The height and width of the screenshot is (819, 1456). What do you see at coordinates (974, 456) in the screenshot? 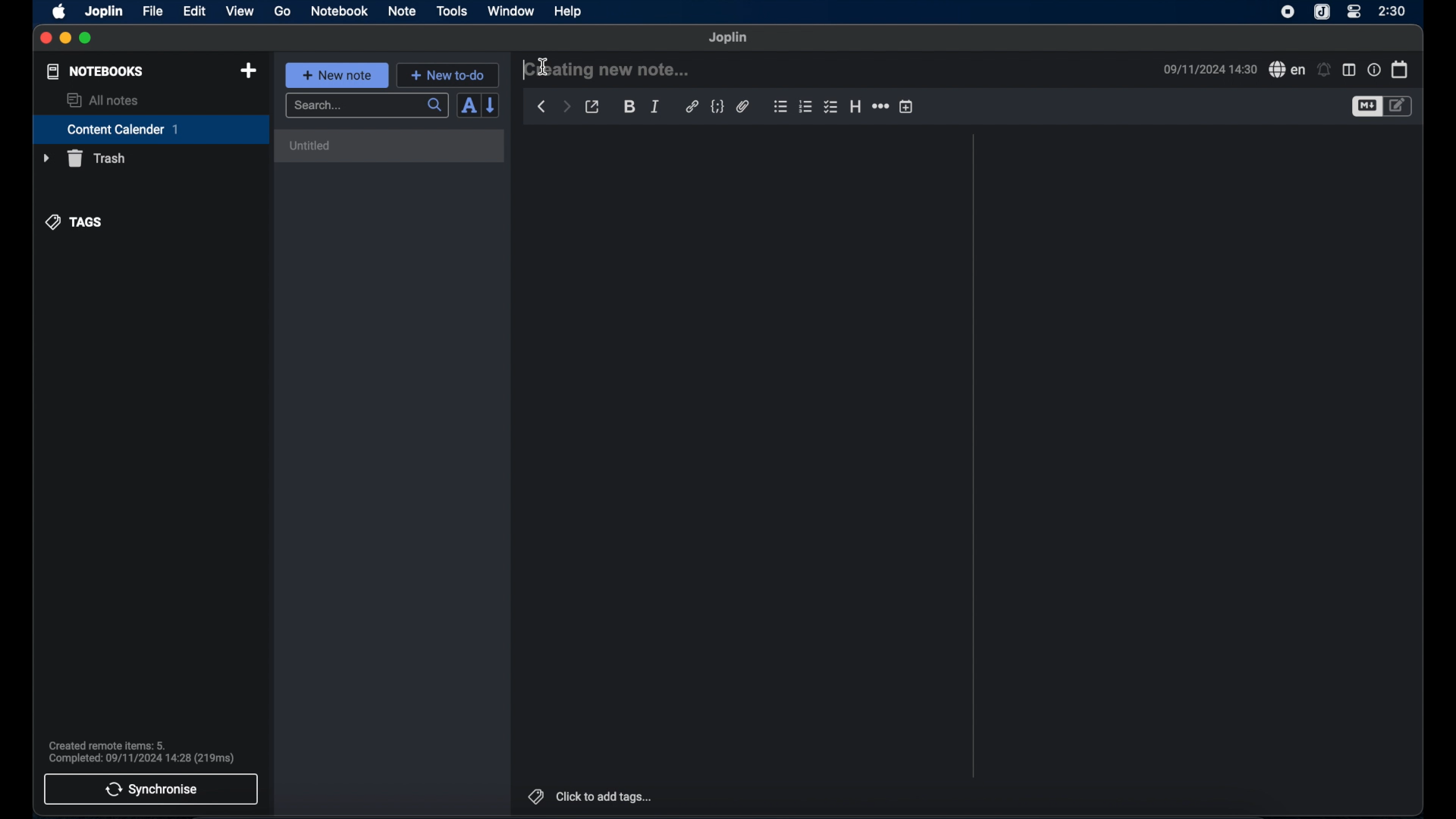
I see `divider` at bounding box center [974, 456].